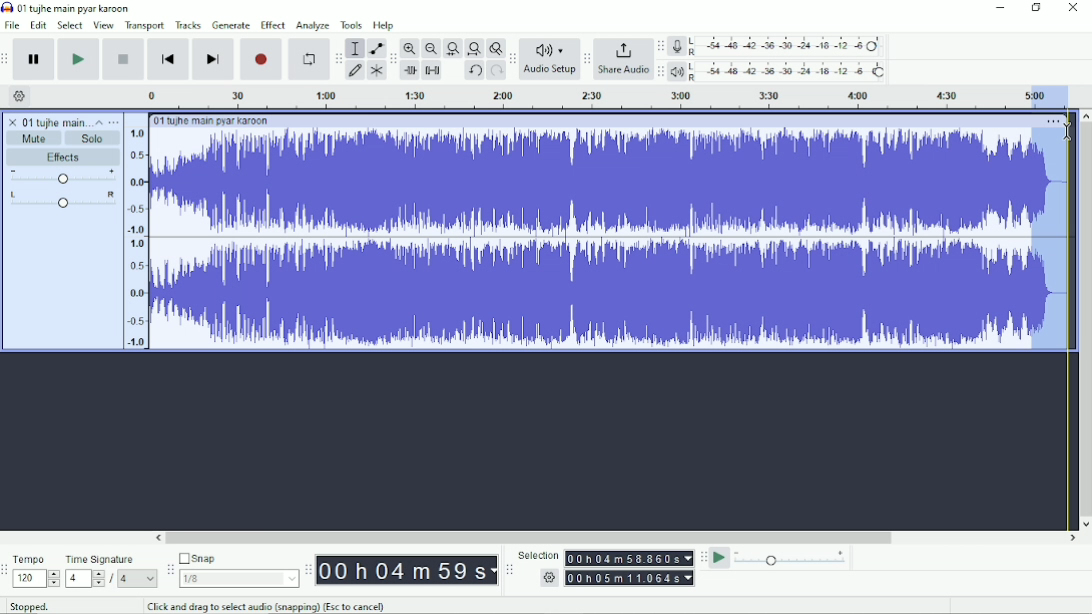  What do you see at coordinates (475, 70) in the screenshot?
I see `Undo` at bounding box center [475, 70].